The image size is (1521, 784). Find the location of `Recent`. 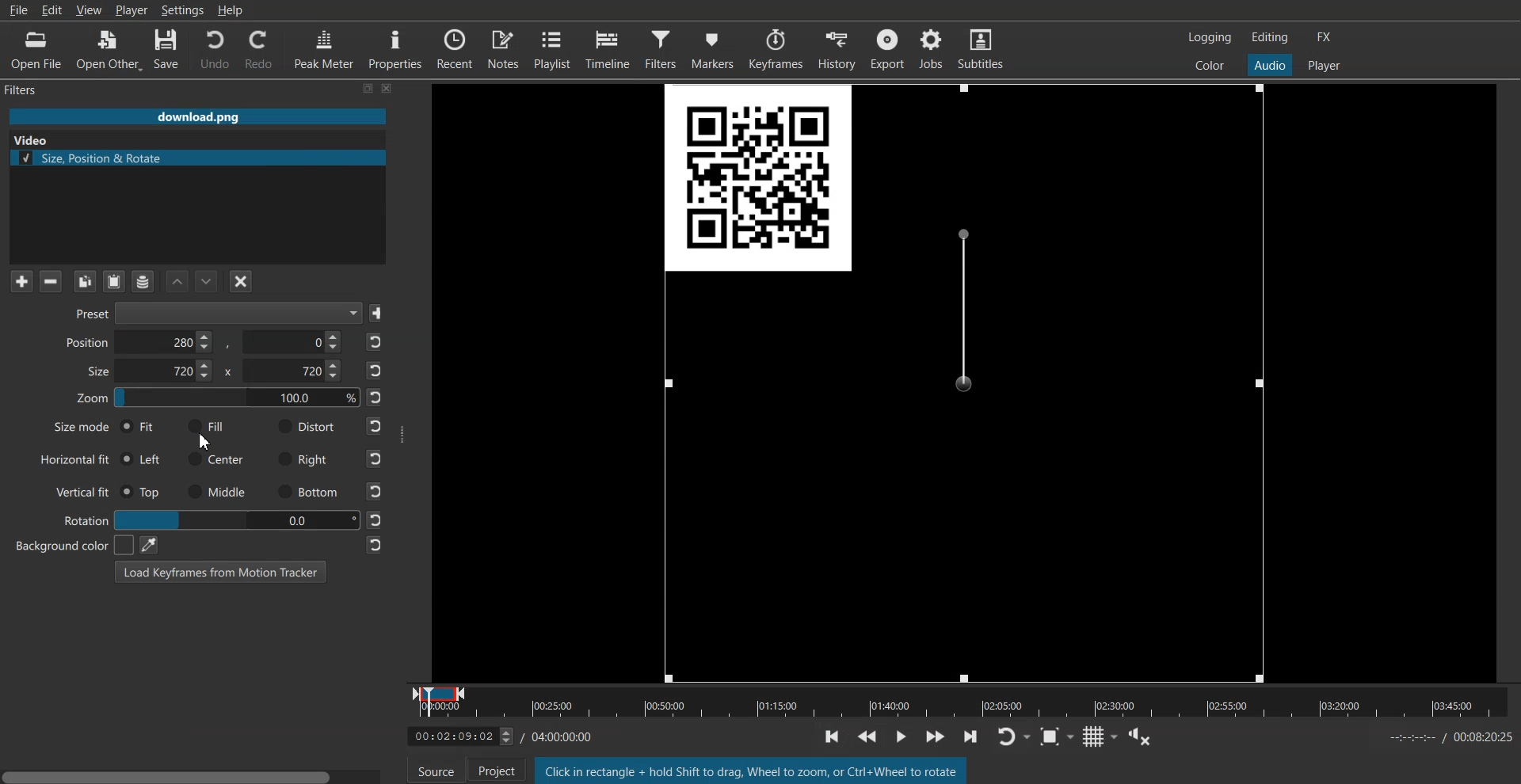

Recent is located at coordinates (456, 48).